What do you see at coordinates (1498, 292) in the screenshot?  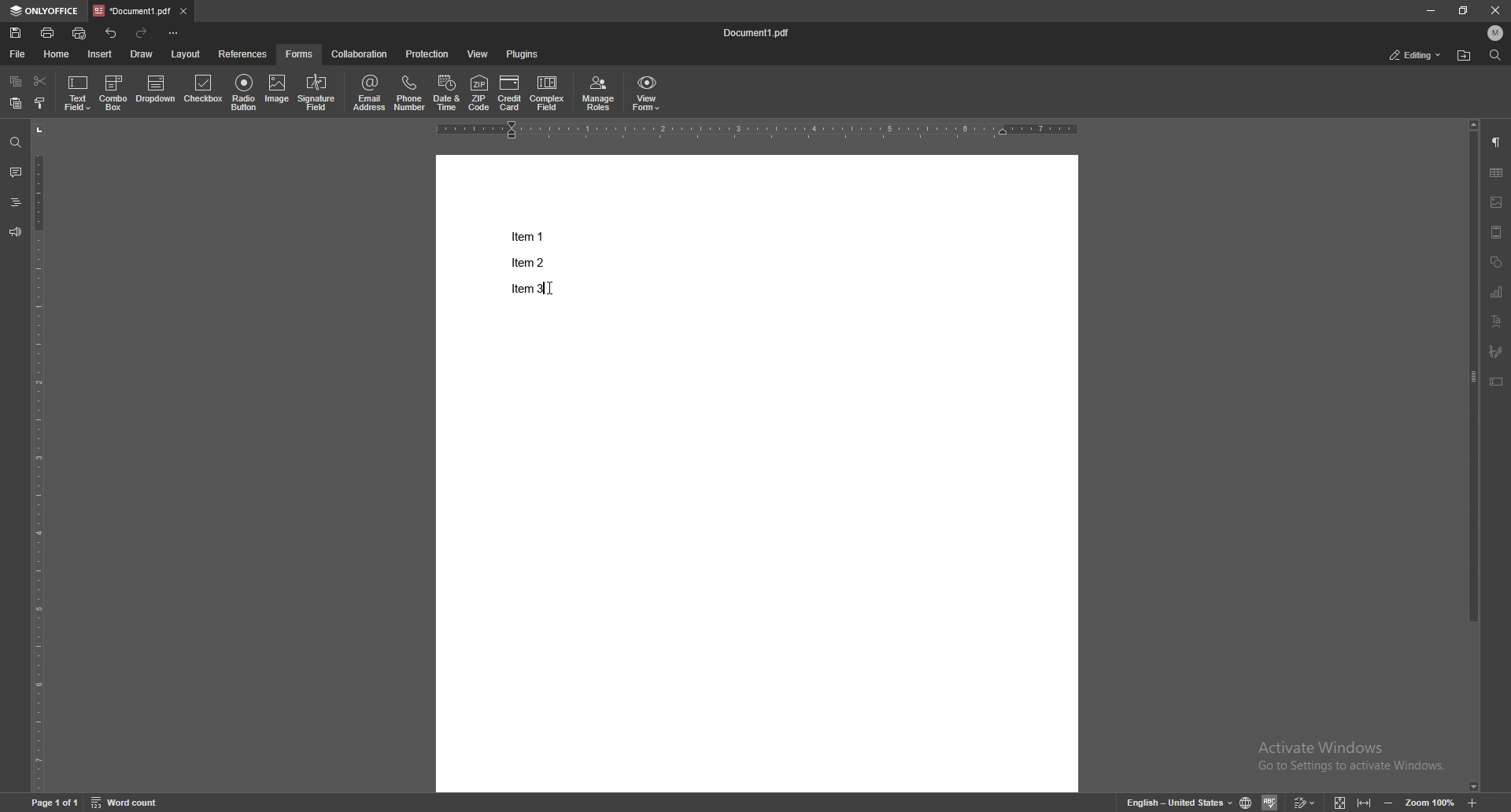 I see `chart` at bounding box center [1498, 292].